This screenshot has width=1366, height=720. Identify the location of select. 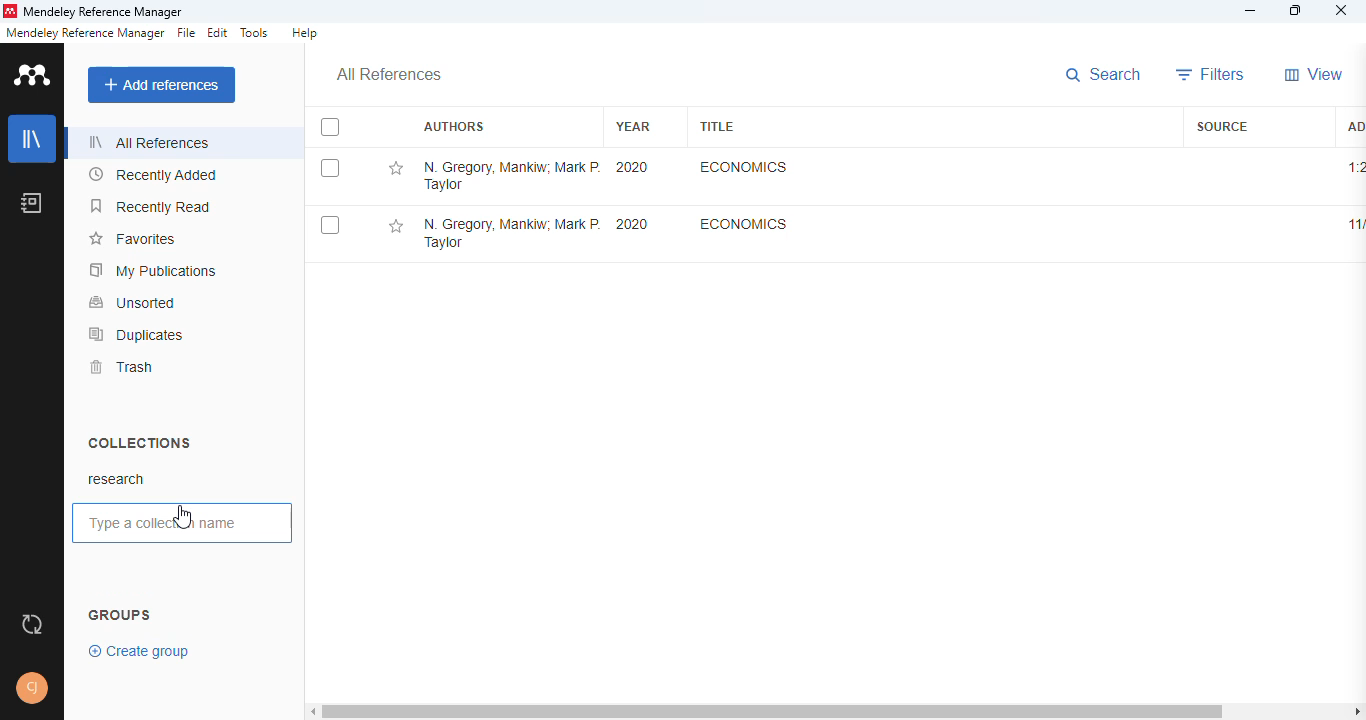
(330, 128).